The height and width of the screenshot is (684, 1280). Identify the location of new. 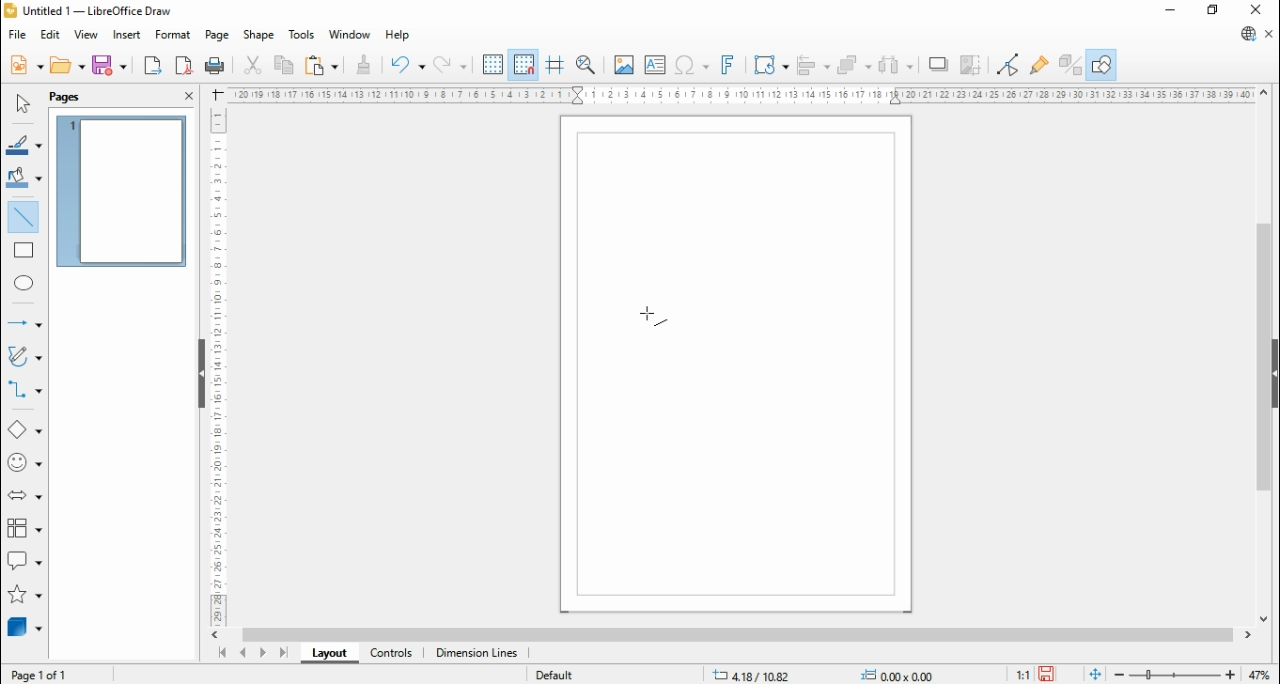
(25, 66).